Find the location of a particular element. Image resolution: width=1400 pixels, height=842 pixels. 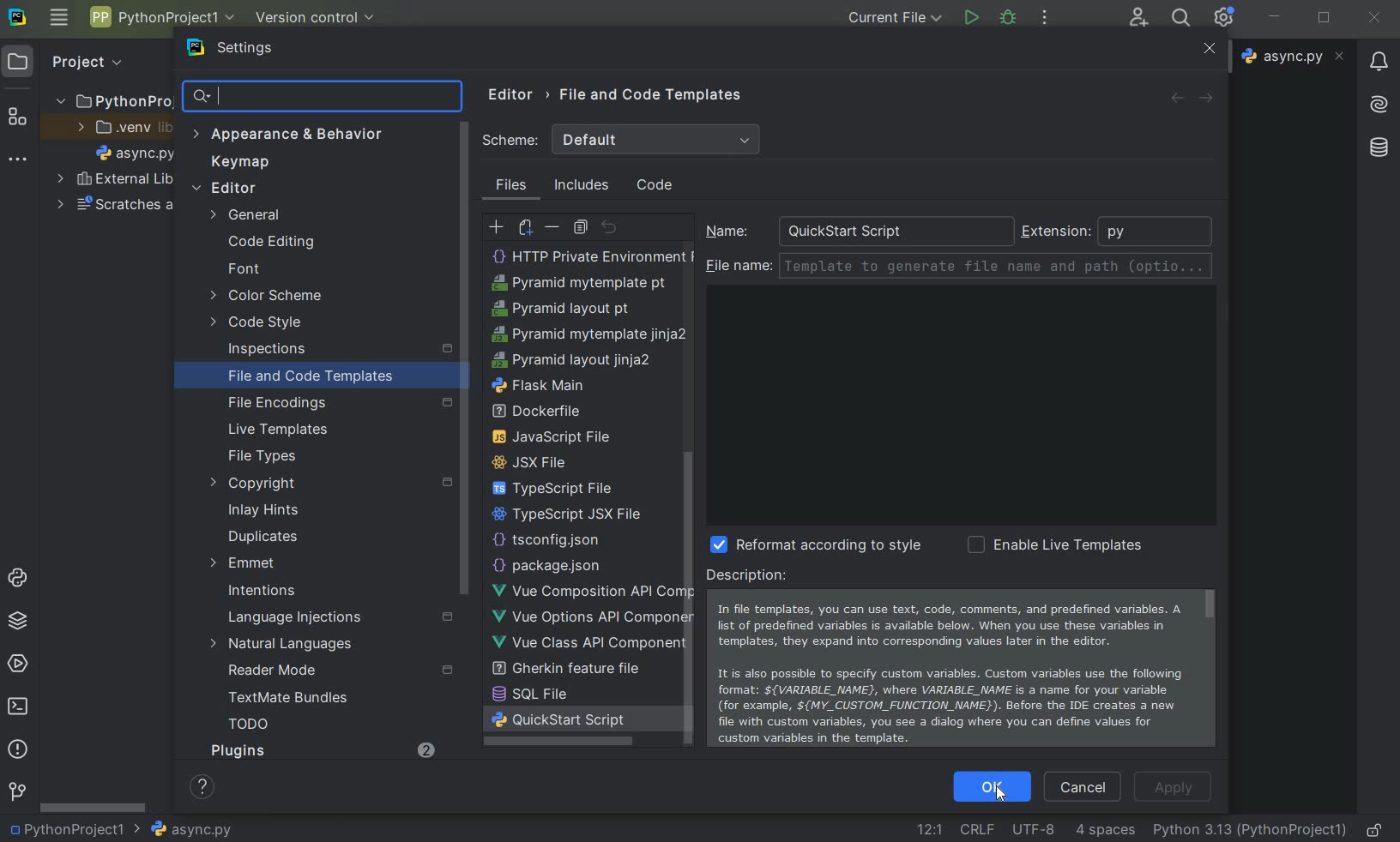

pyramid layout pt is located at coordinates (561, 668).